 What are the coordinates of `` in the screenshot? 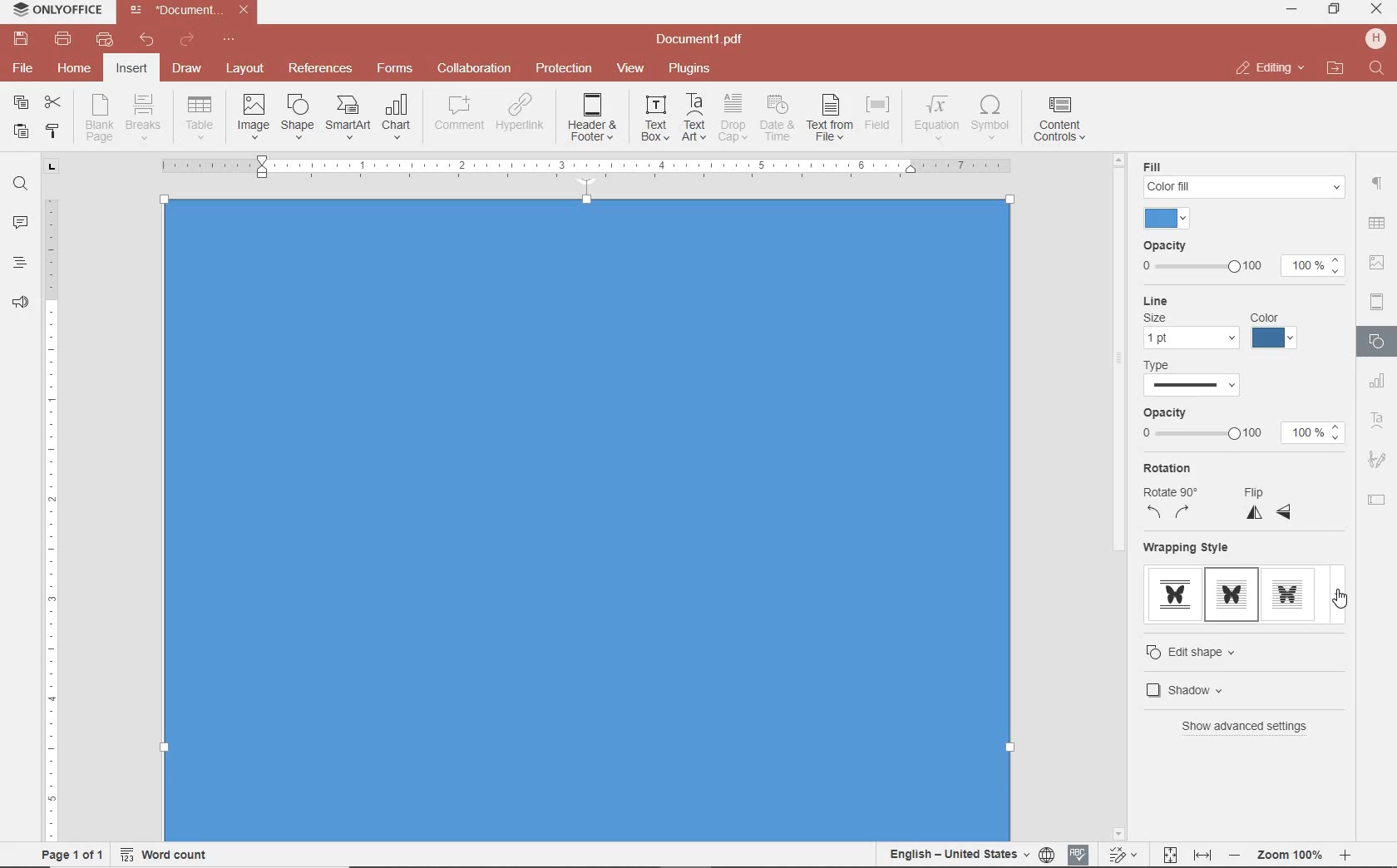 It's located at (1290, 856).